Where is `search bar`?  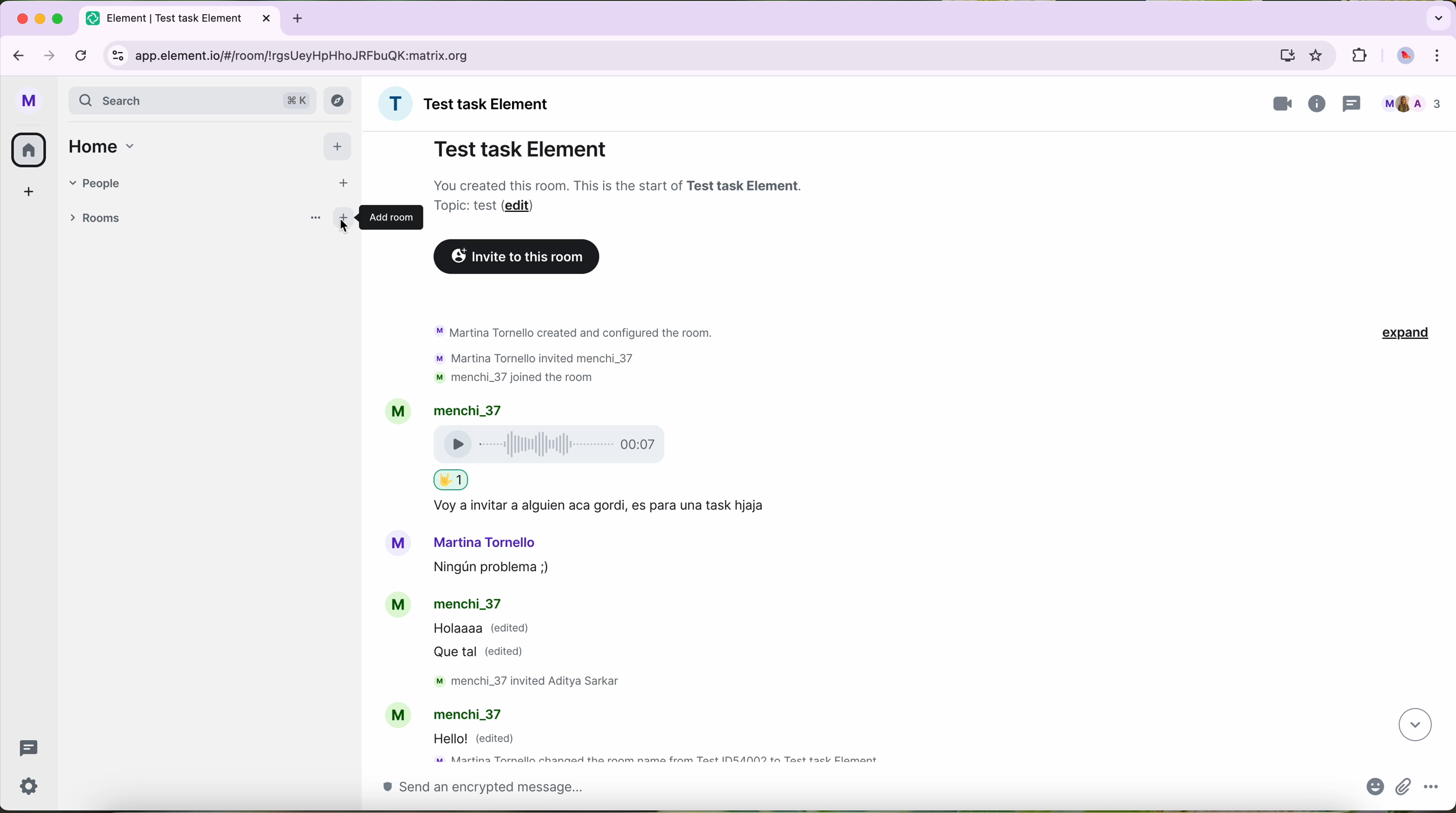 search bar is located at coordinates (193, 102).